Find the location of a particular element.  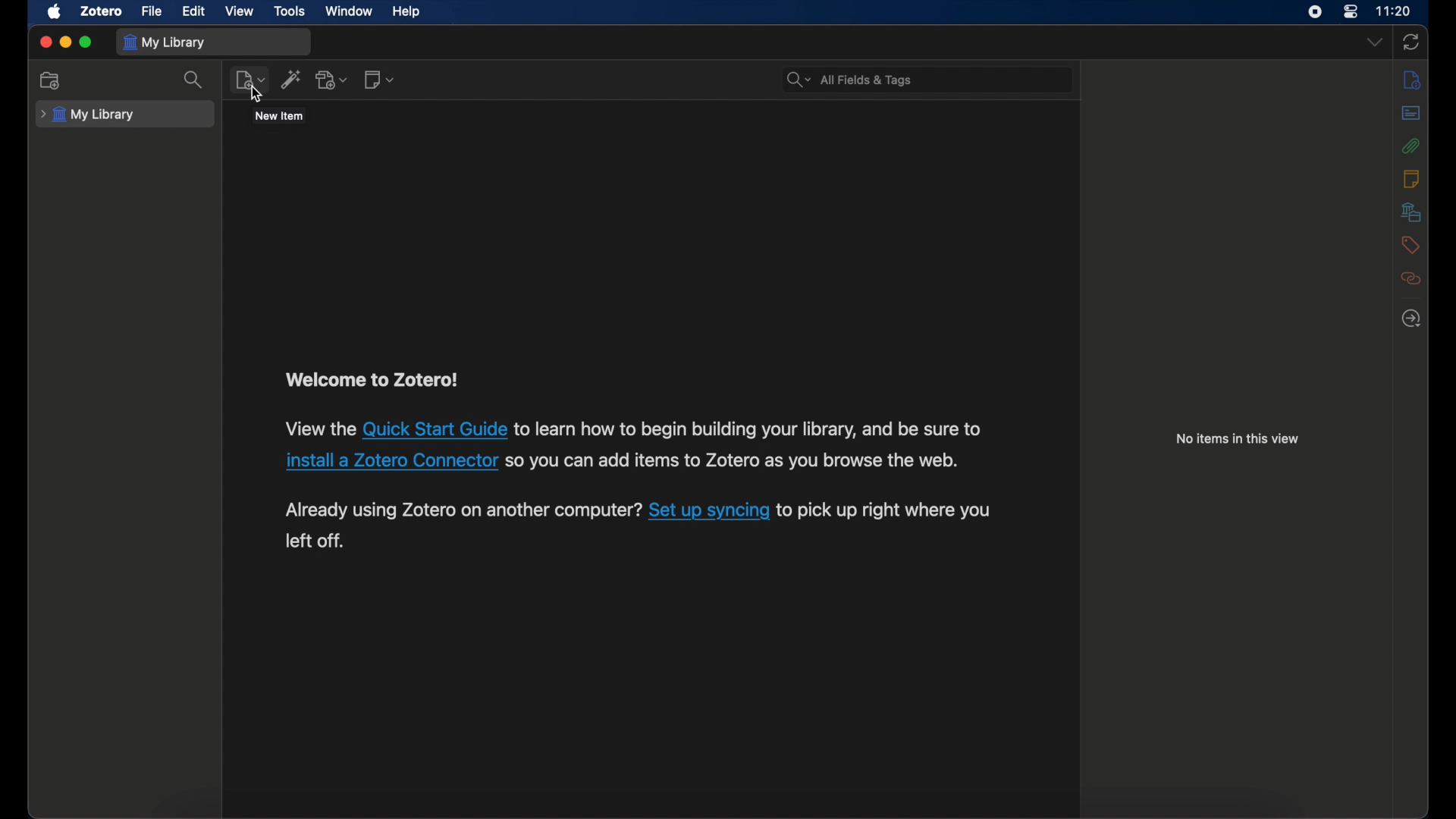

screen recorder icon is located at coordinates (1316, 12).